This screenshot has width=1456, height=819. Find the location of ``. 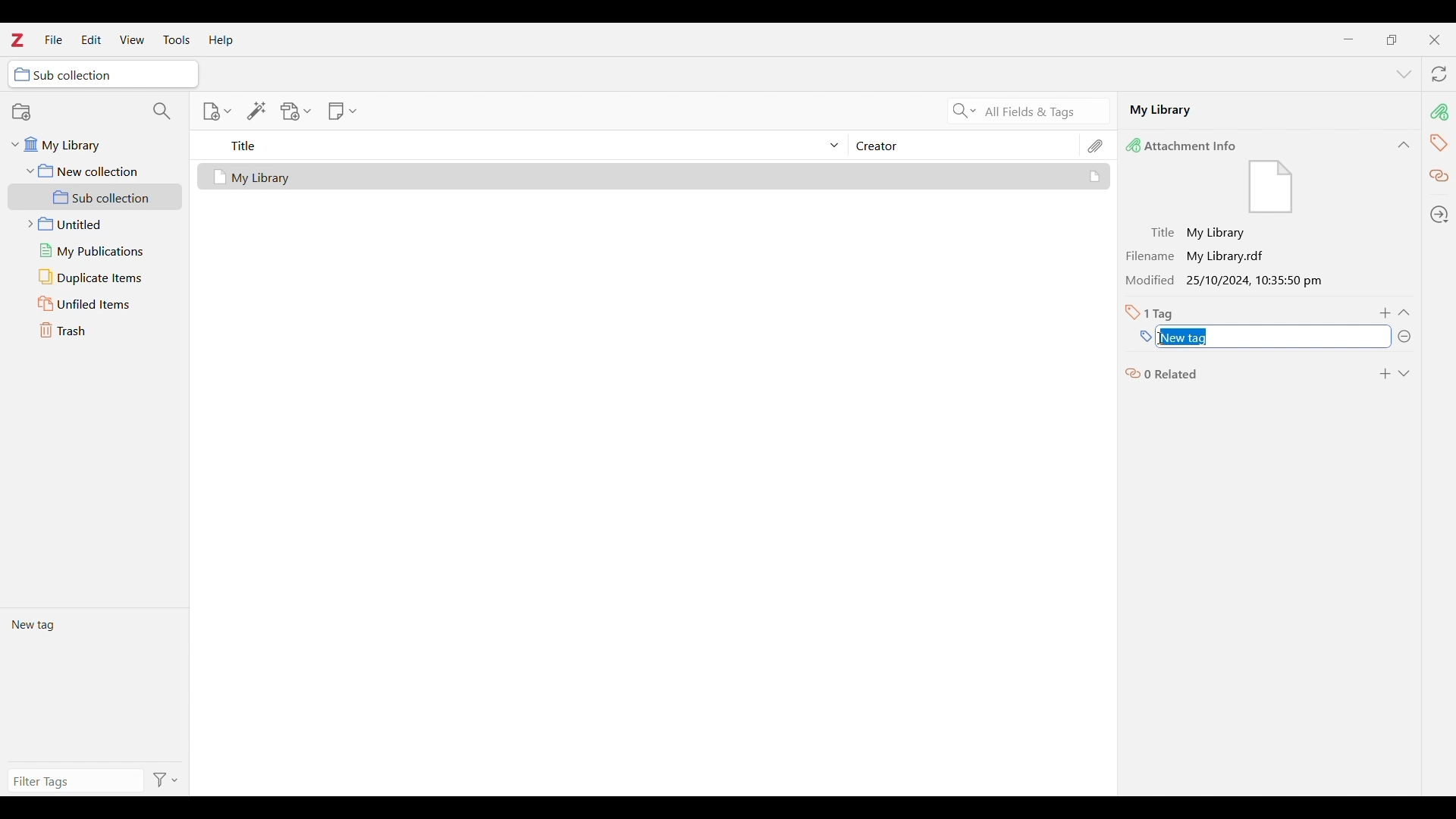

 is located at coordinates (1271, 188).